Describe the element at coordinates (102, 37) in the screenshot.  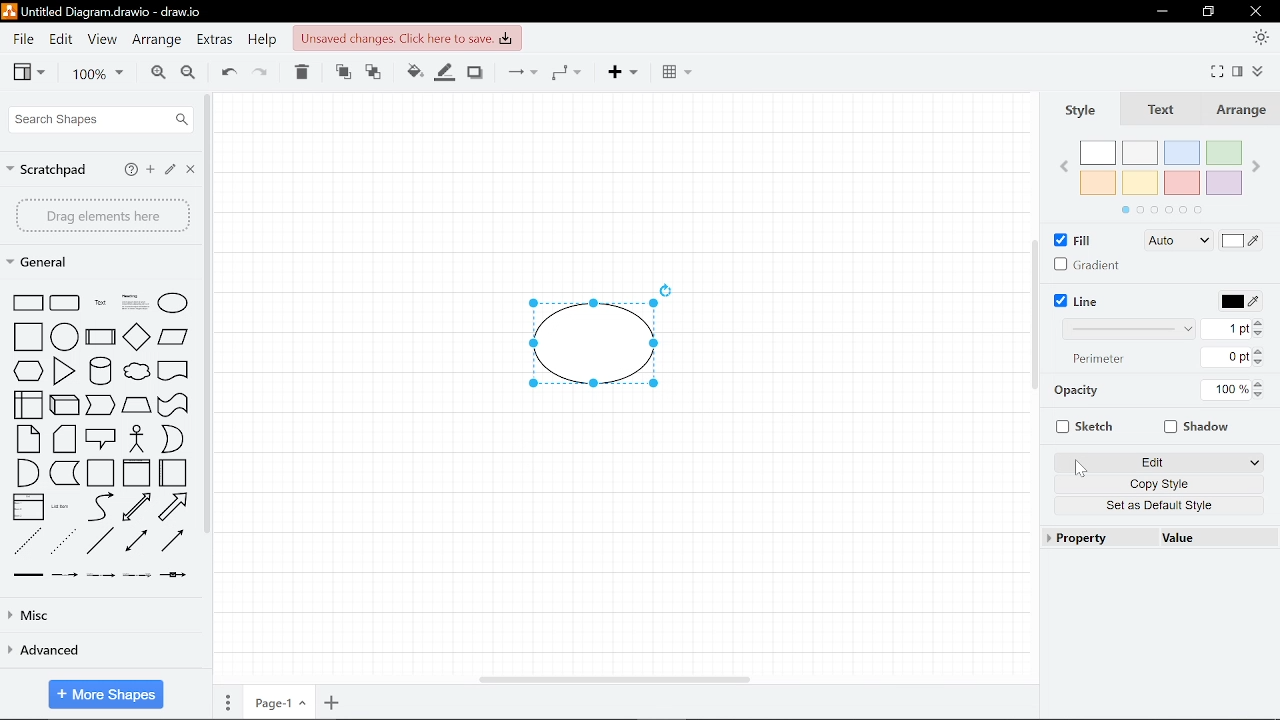
I see `View` at that location.